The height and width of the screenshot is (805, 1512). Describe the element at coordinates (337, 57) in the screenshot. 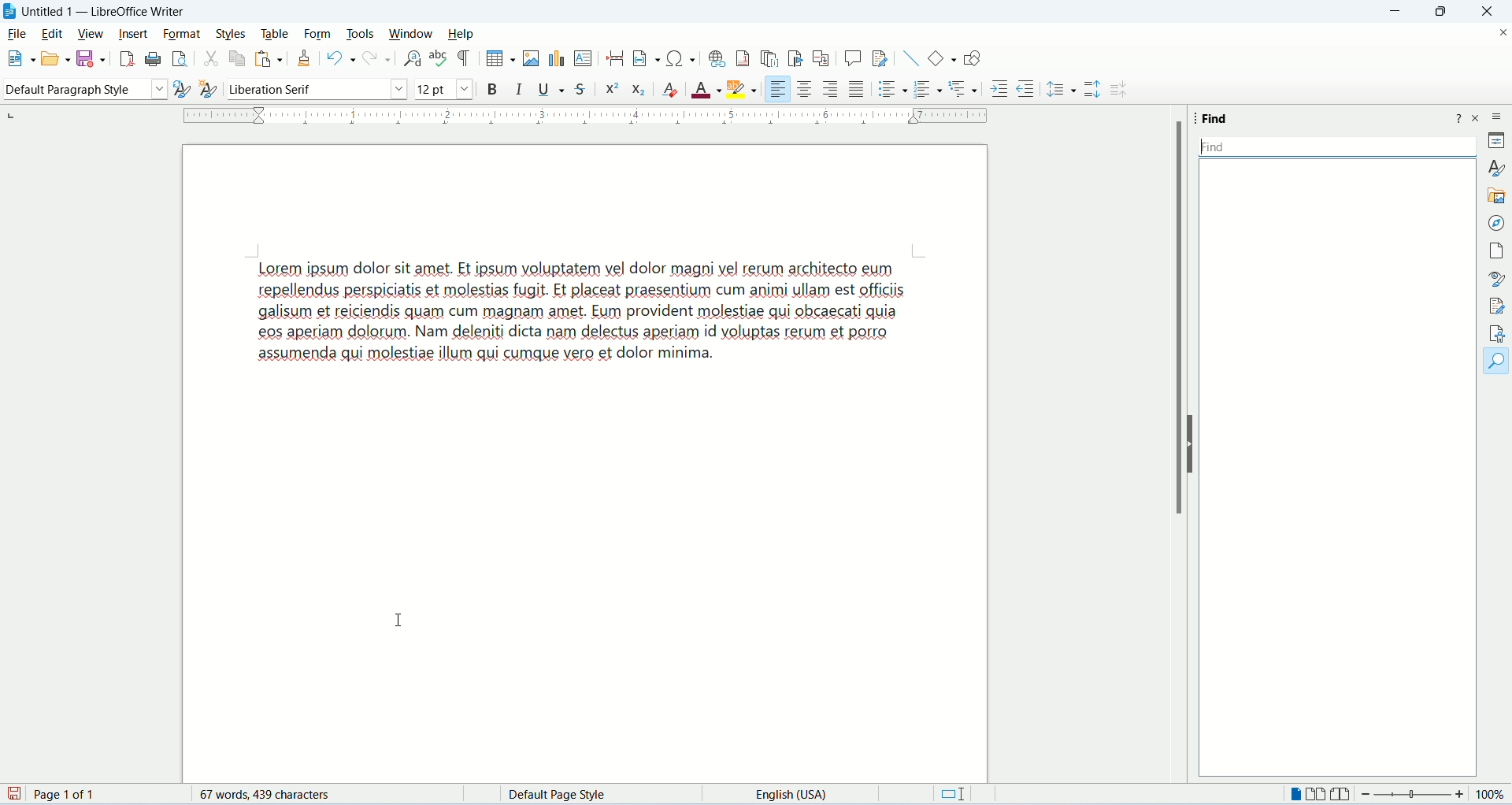

I see `undo` at that location.